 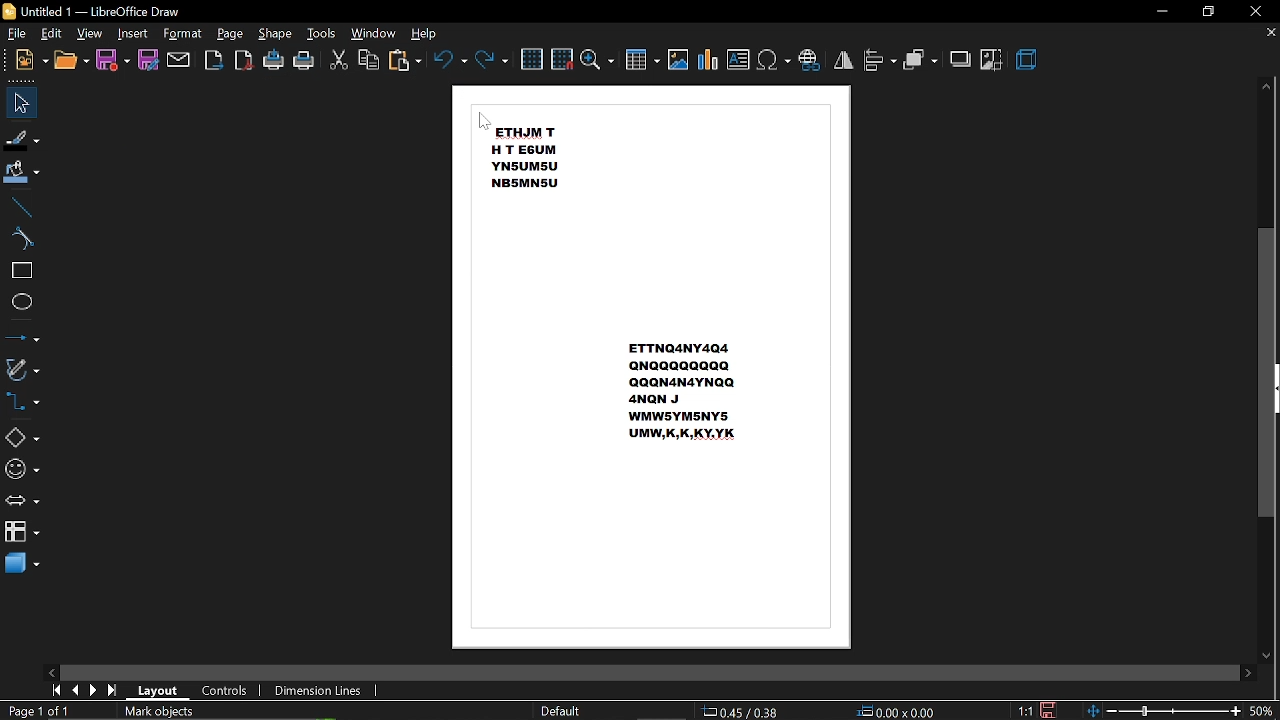 I want to click on shape, so click(x=274, y=34).